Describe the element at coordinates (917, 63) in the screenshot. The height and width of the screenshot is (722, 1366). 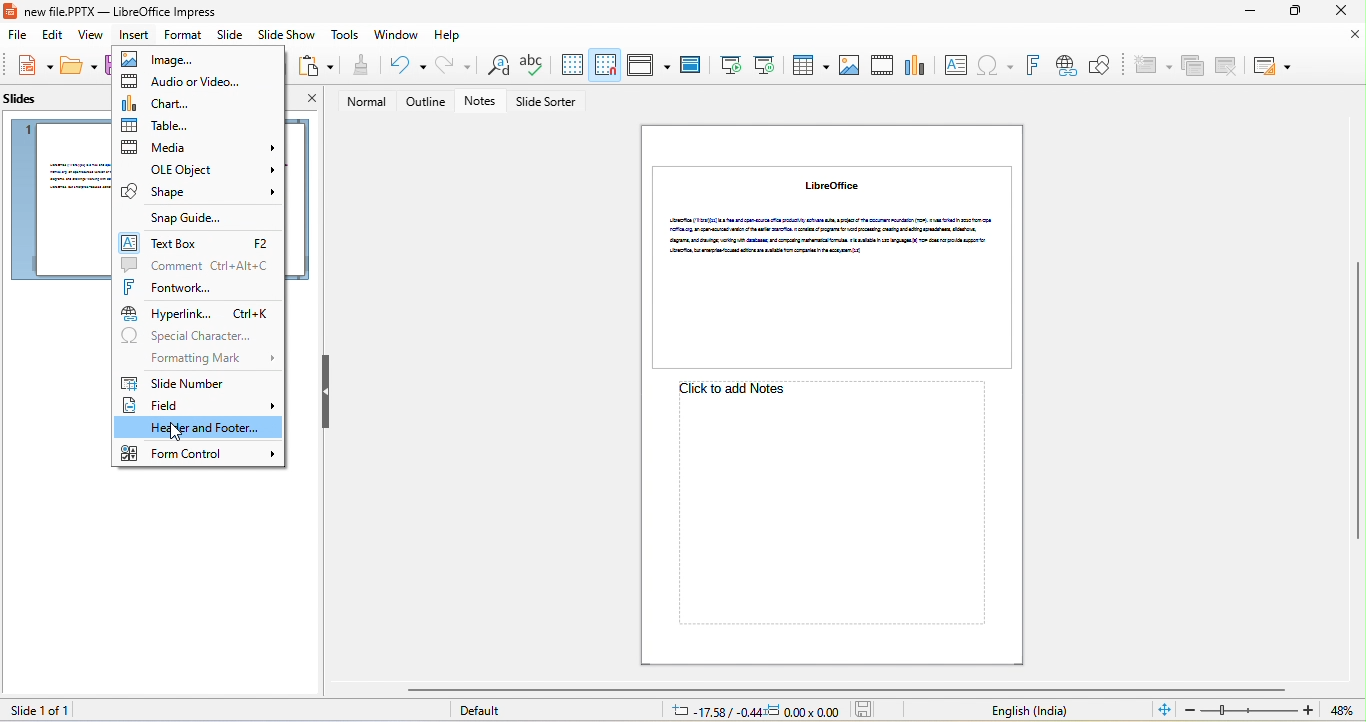
I see `chart` at that location.